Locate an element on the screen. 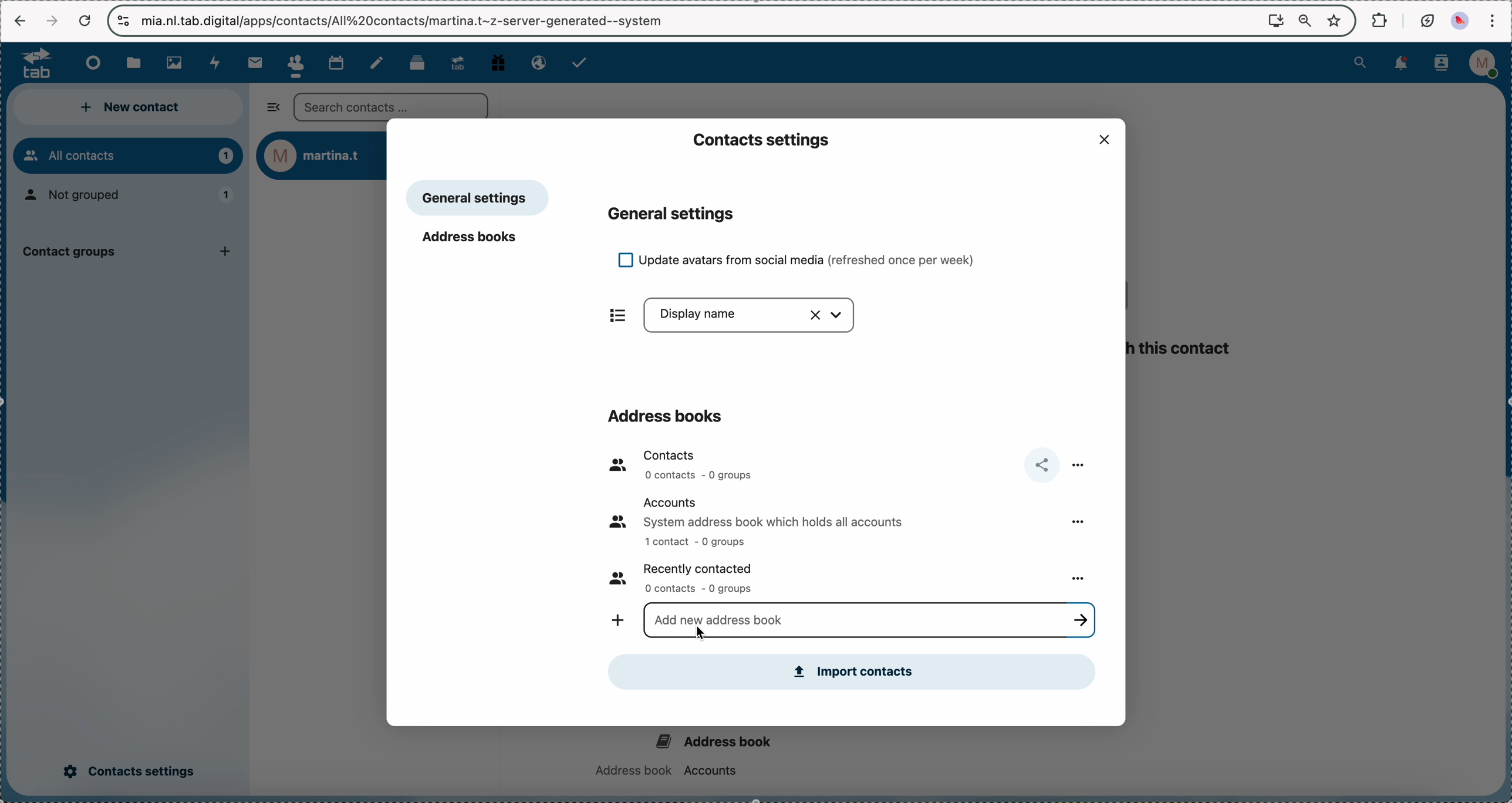  navigate foward is located at coordinates (49, 20).